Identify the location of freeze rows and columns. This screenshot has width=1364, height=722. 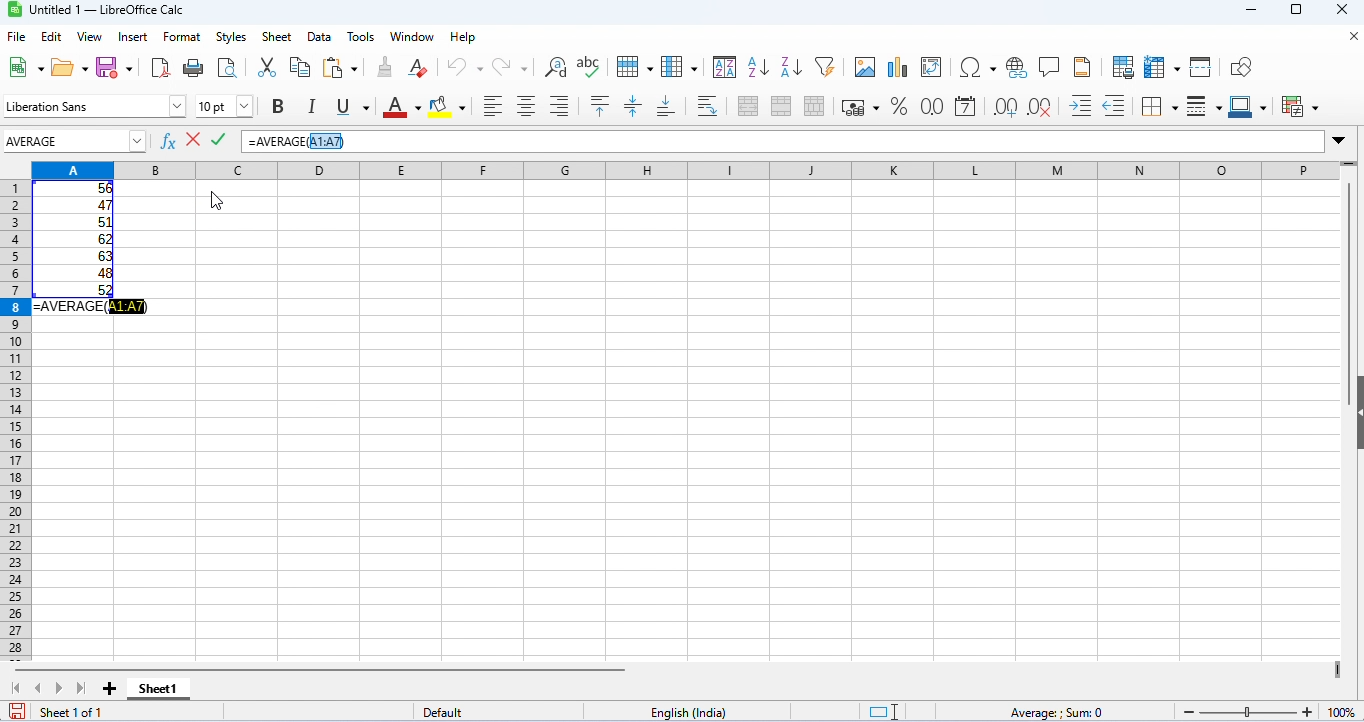
(1164, 67).